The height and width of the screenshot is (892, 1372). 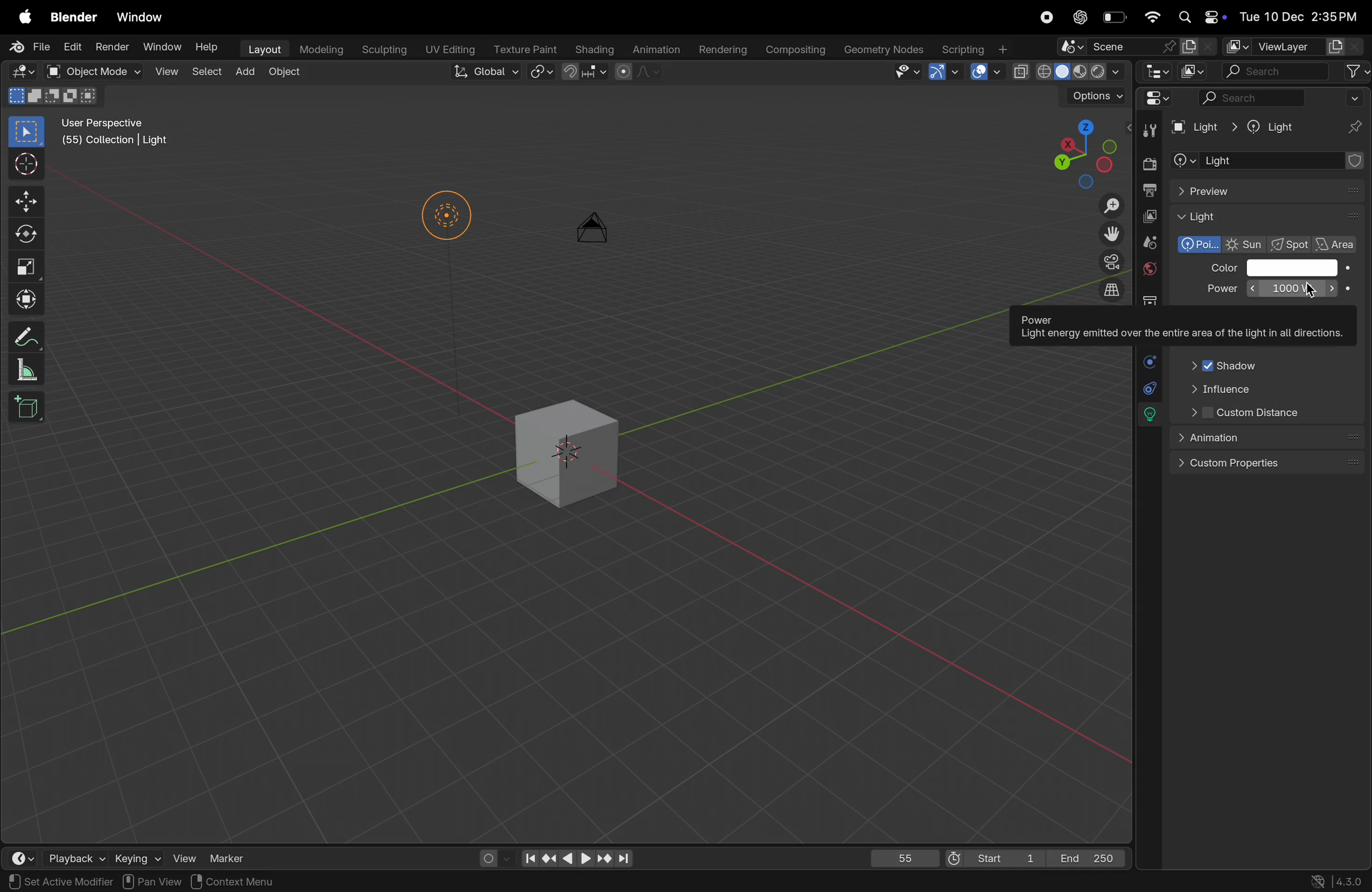 I want to click on modelling, so click(x=321, y=50).